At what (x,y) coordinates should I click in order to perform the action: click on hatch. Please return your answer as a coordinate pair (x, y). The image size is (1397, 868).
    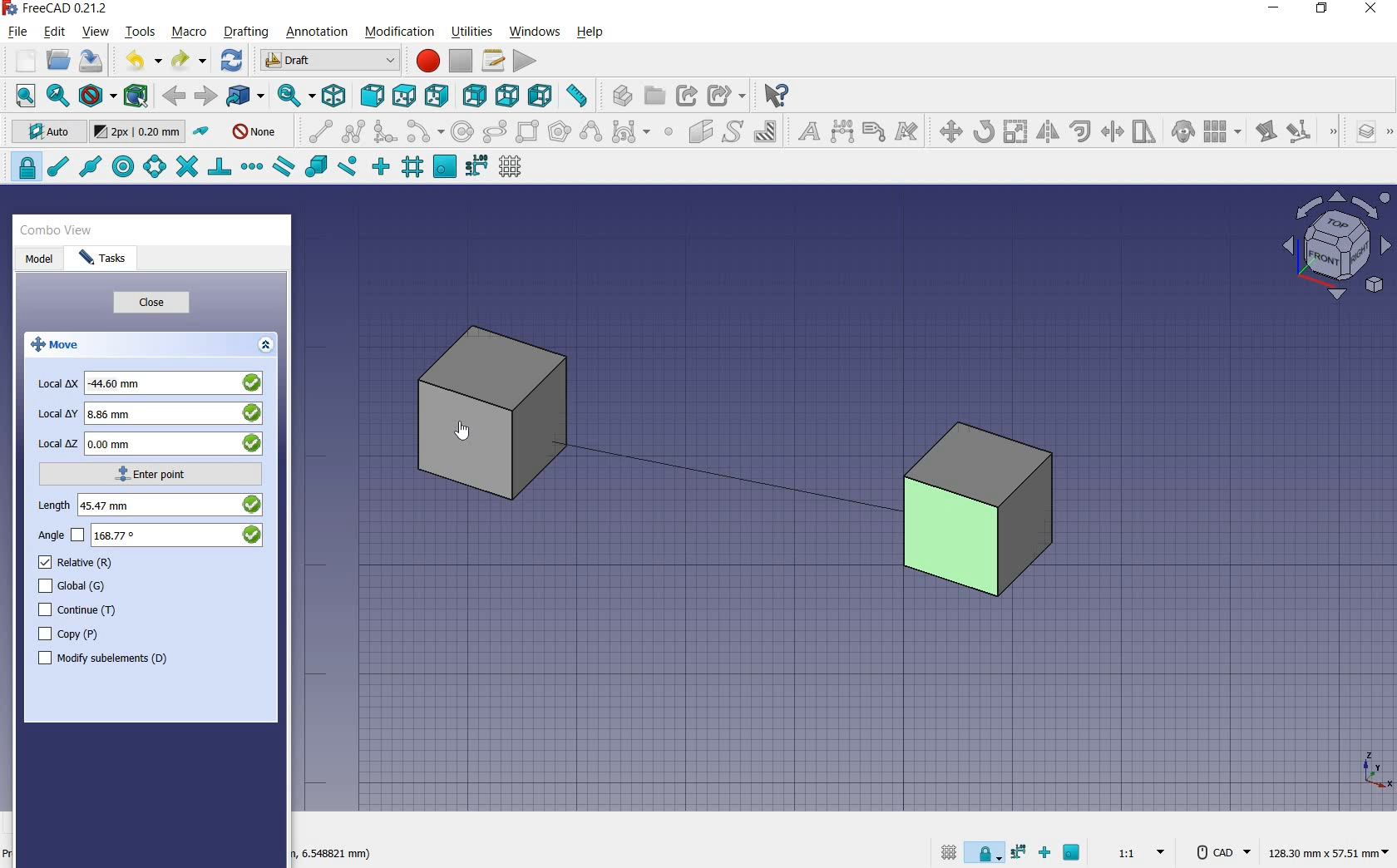
    Looking at the image, I should click on (766, 131).